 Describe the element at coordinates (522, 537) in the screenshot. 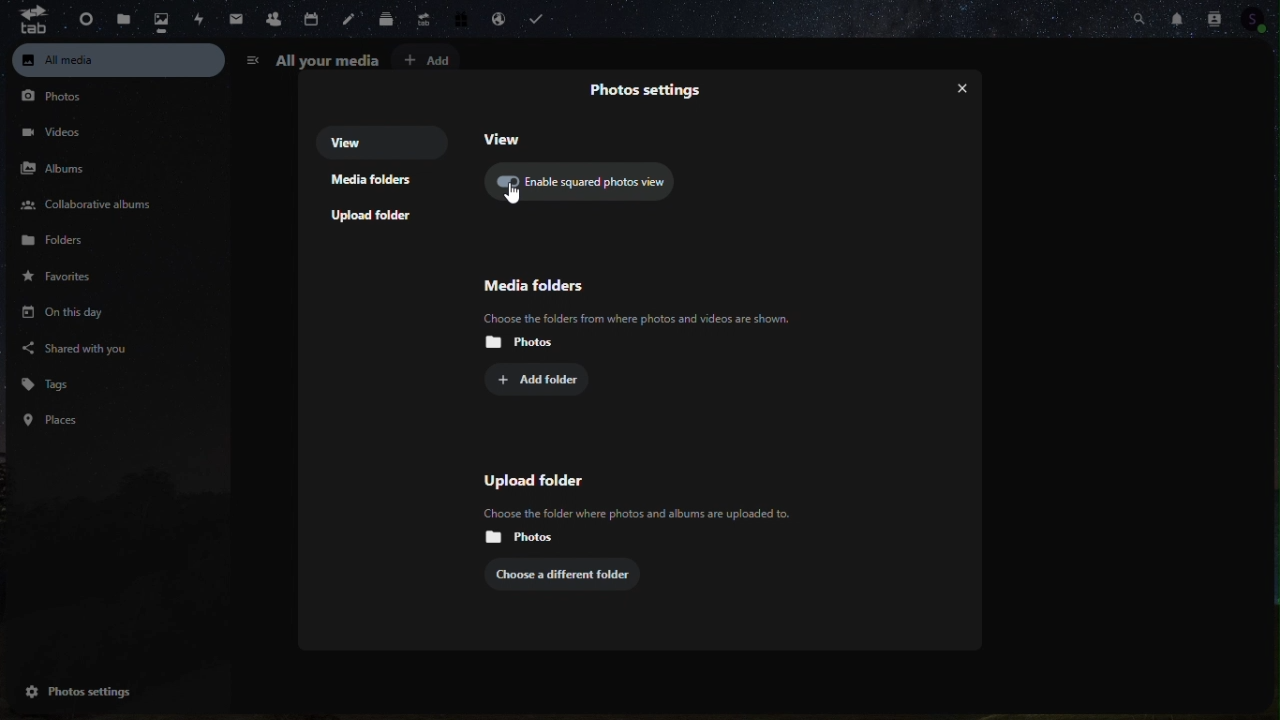

I see `Photos` at that location.